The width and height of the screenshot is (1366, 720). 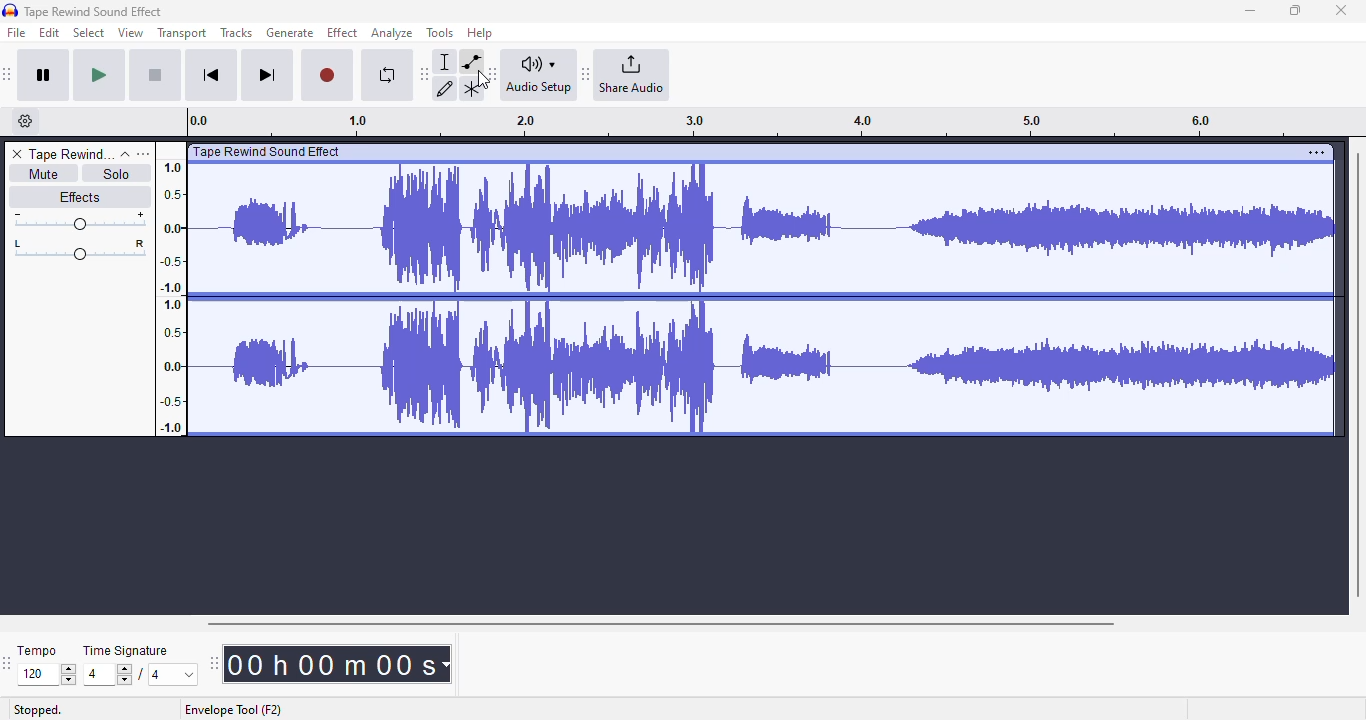 I want to click on selection tool, so click(x=447, y=61).